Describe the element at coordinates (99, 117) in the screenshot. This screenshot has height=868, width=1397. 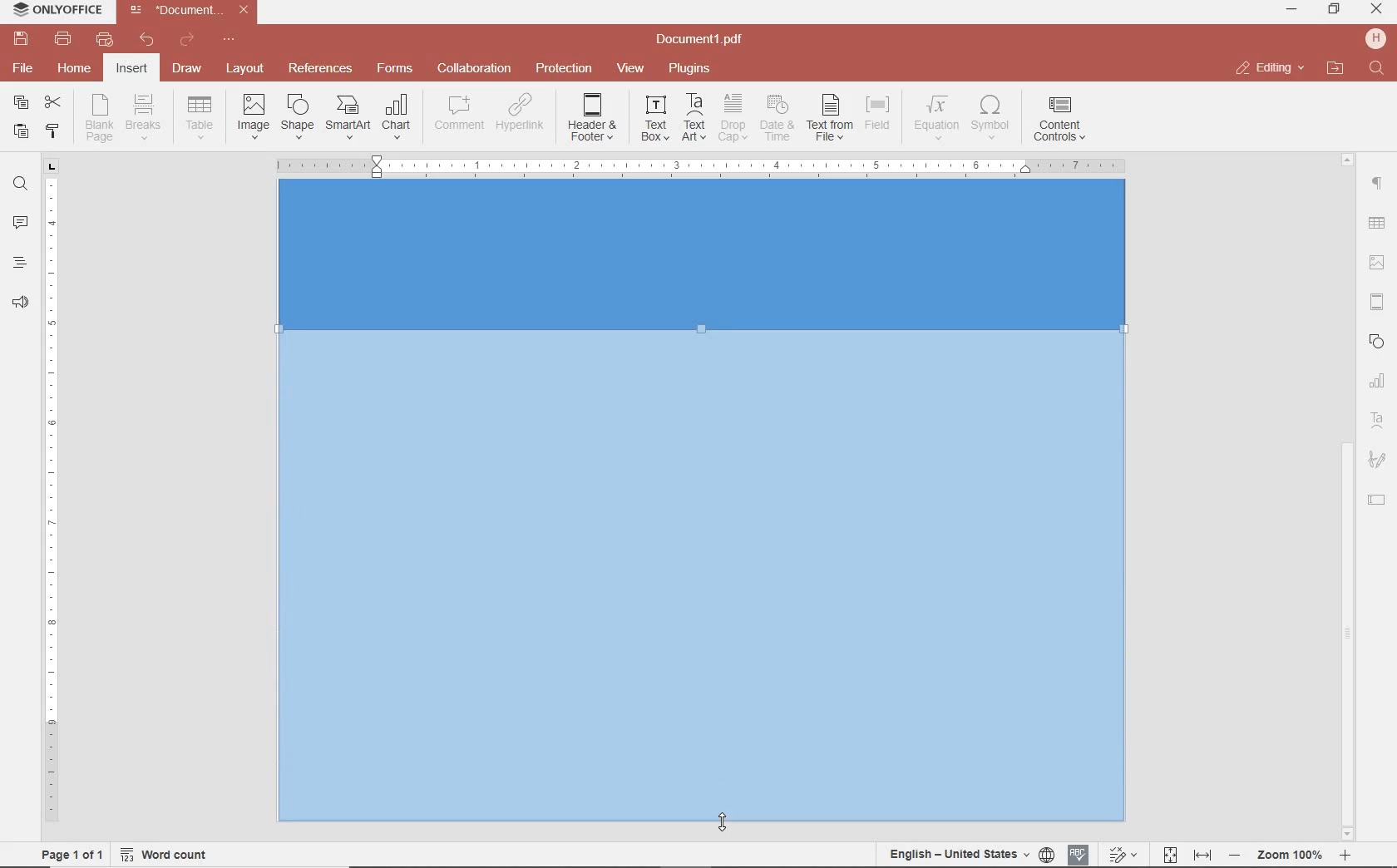
I see `INSERT BLANK PAGE` at that location.